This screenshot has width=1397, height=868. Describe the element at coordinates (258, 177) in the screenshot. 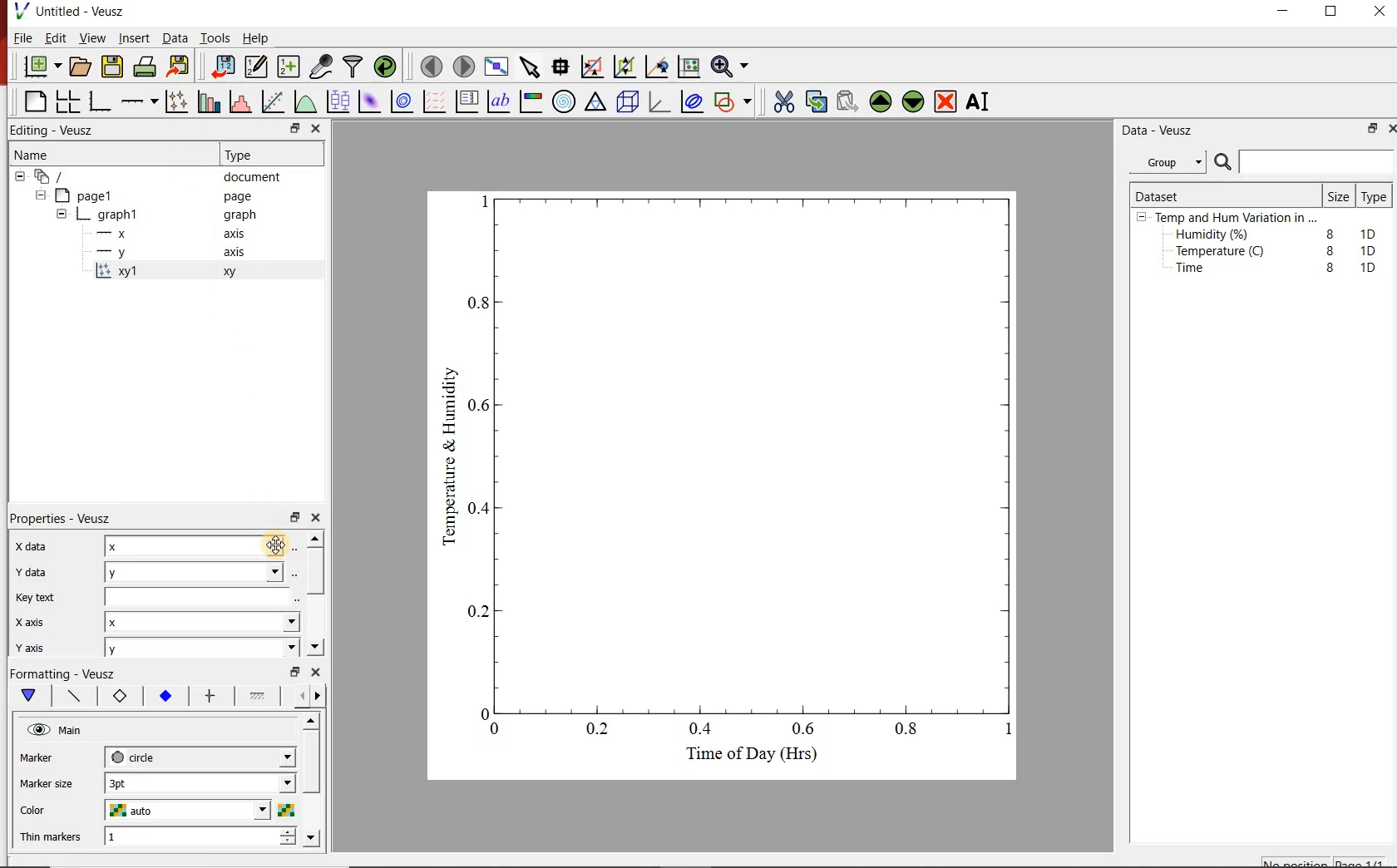

I see `document` at that location.